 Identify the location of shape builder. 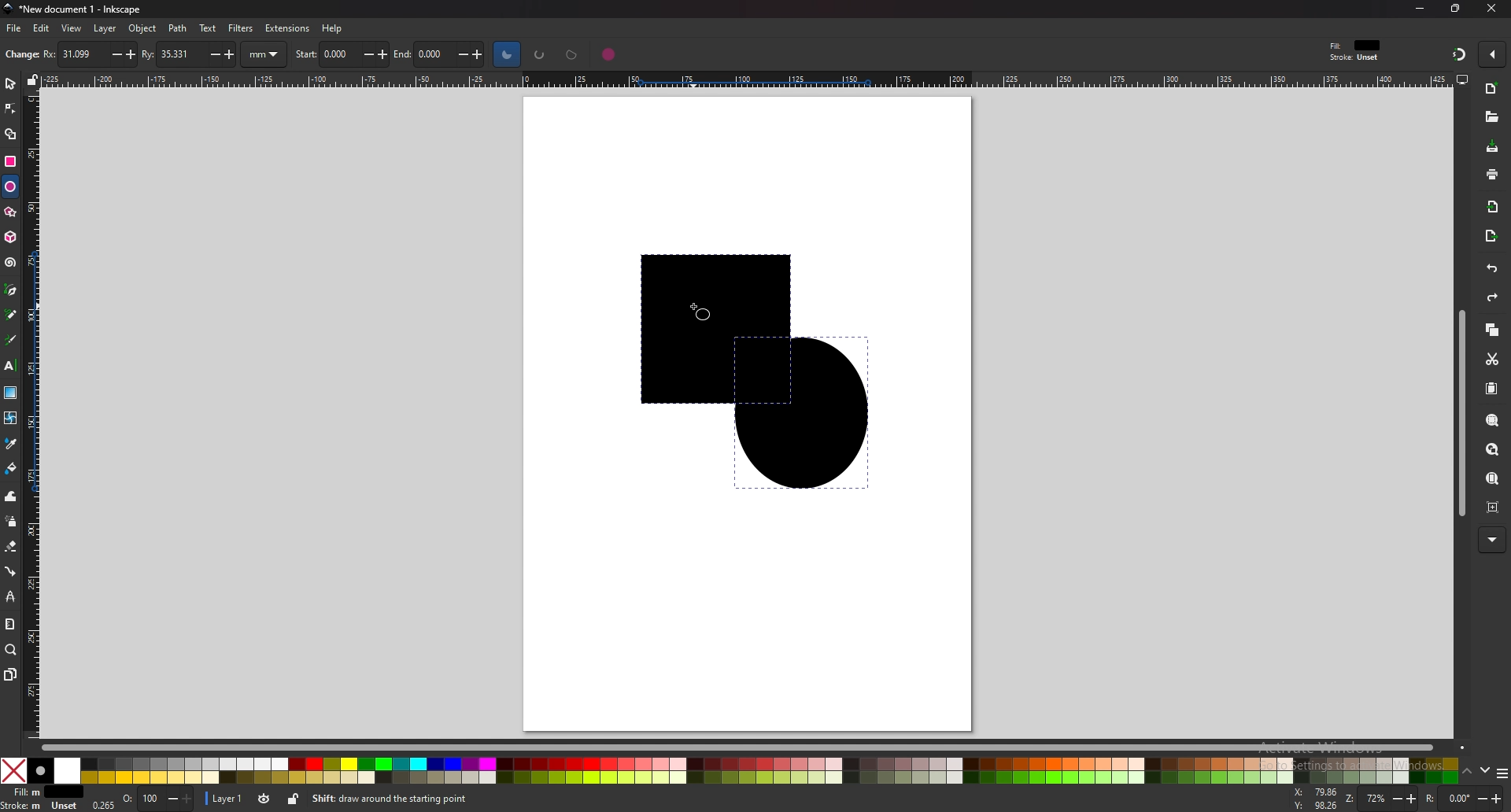
(9, 135).